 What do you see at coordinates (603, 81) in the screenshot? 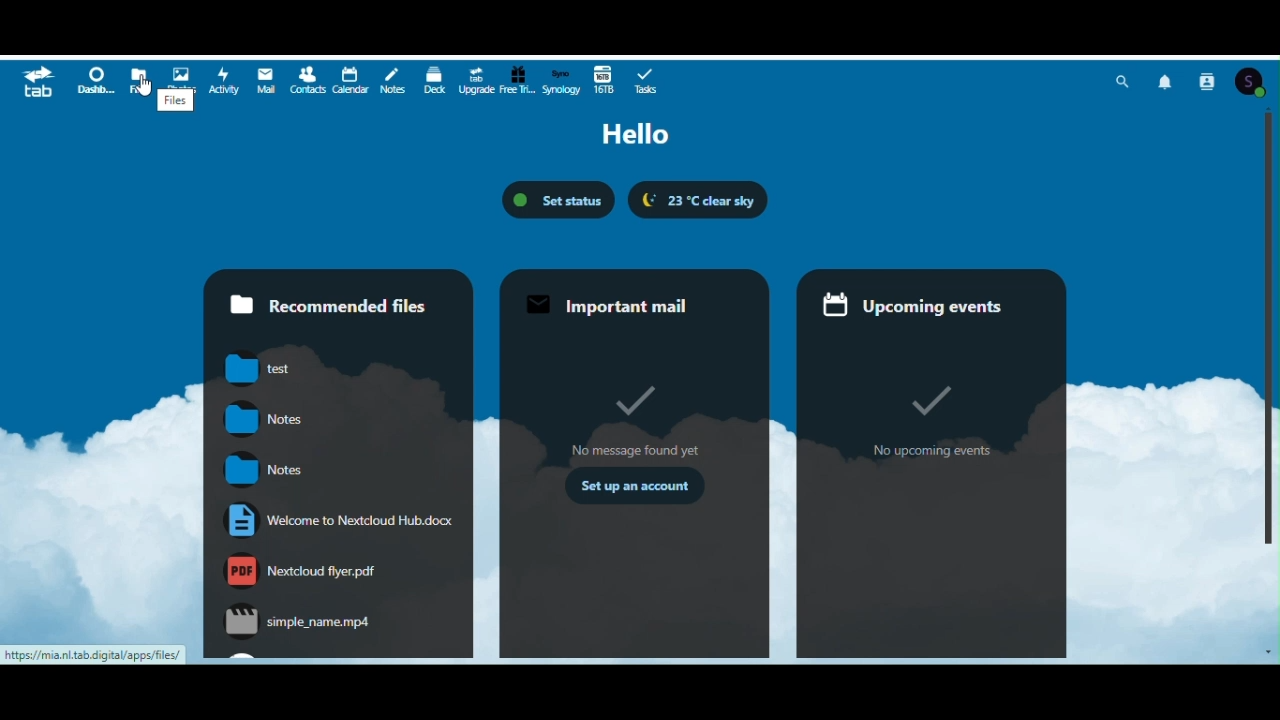
I see `16 terabytes` at bounding box center [603, 81].